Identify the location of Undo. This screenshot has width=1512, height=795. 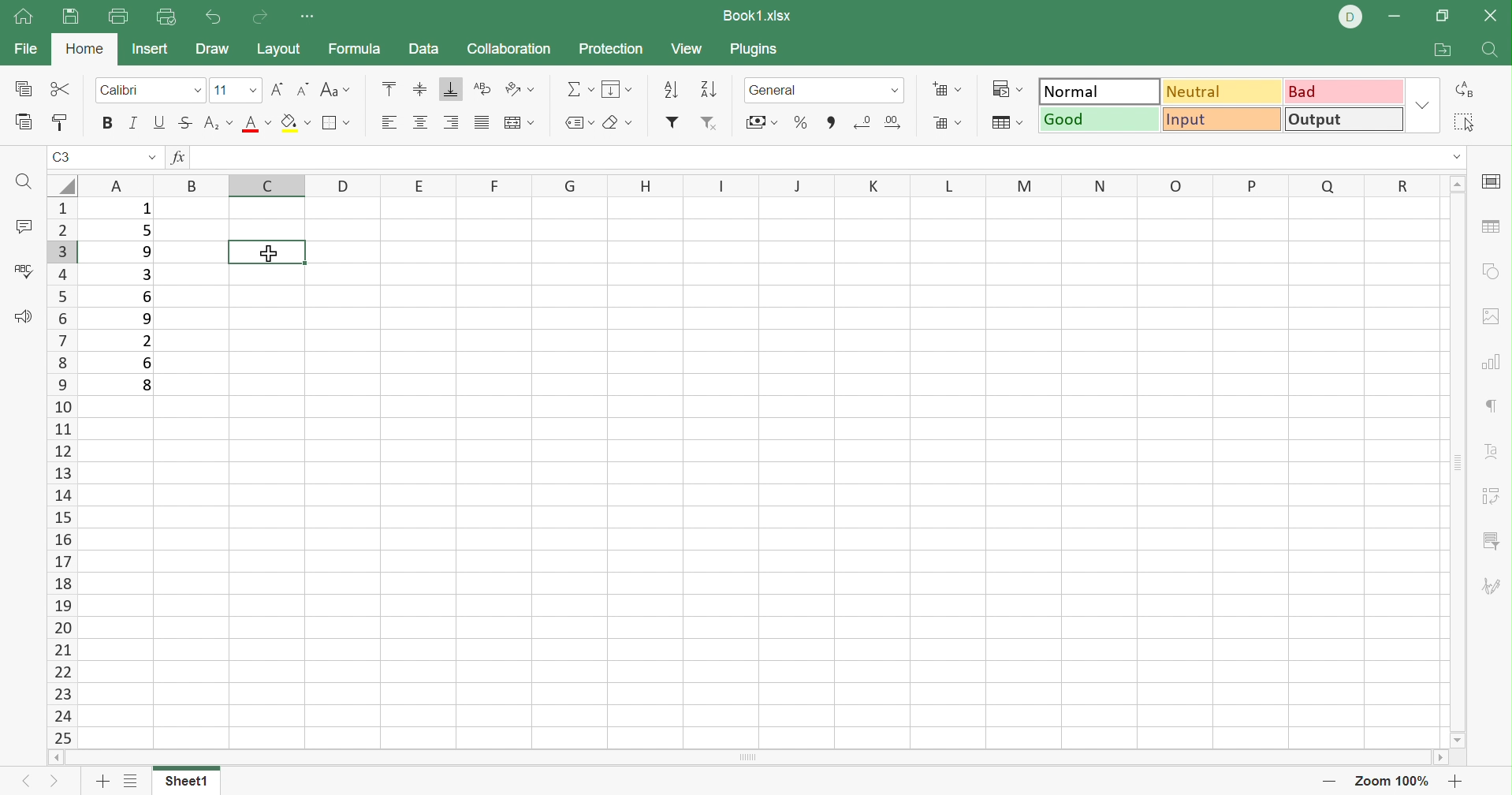
(213, 17).